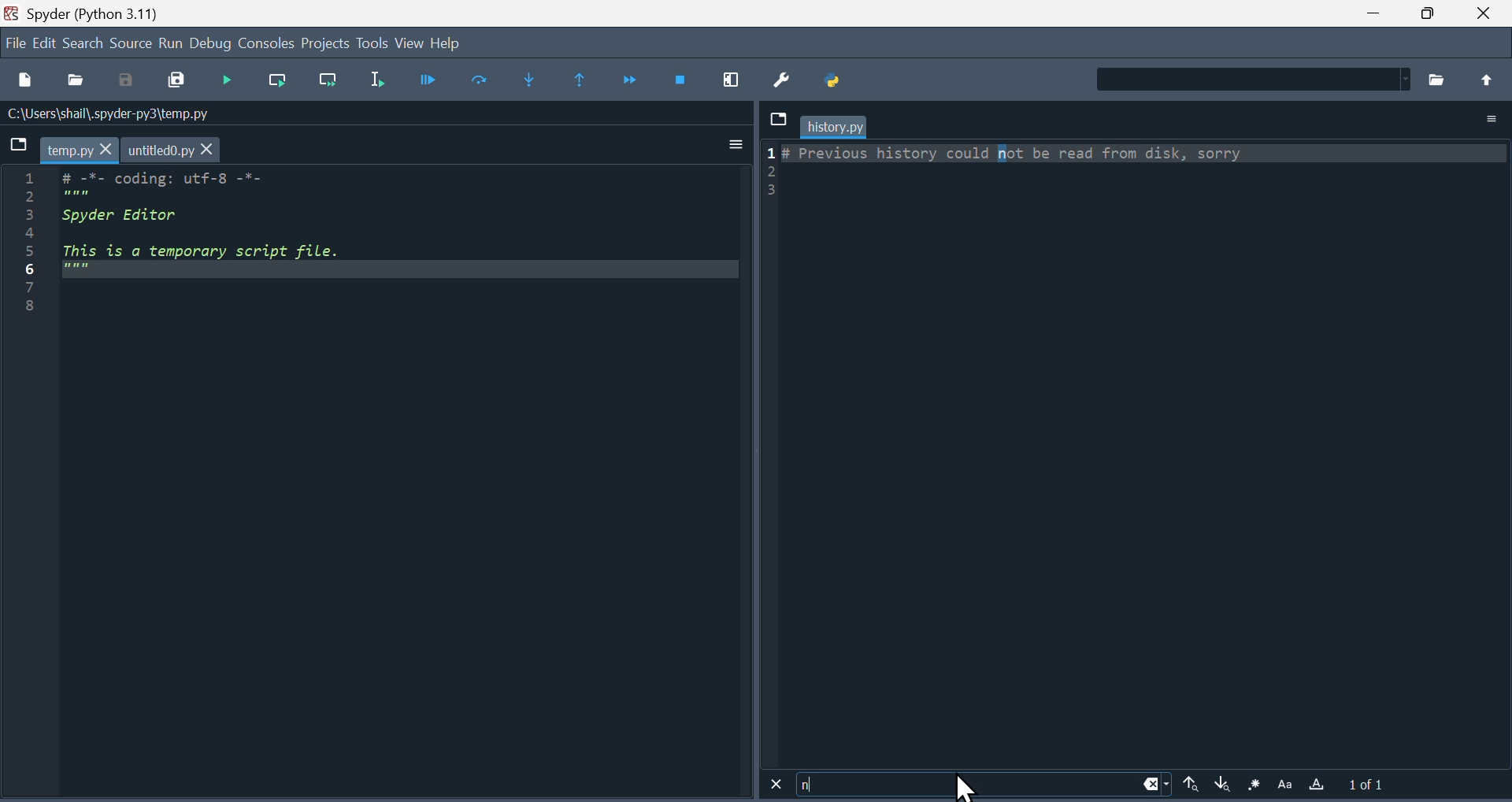 This screenshot has height=802, width=1512. I want to click on Maximize, so click(1429, 13).